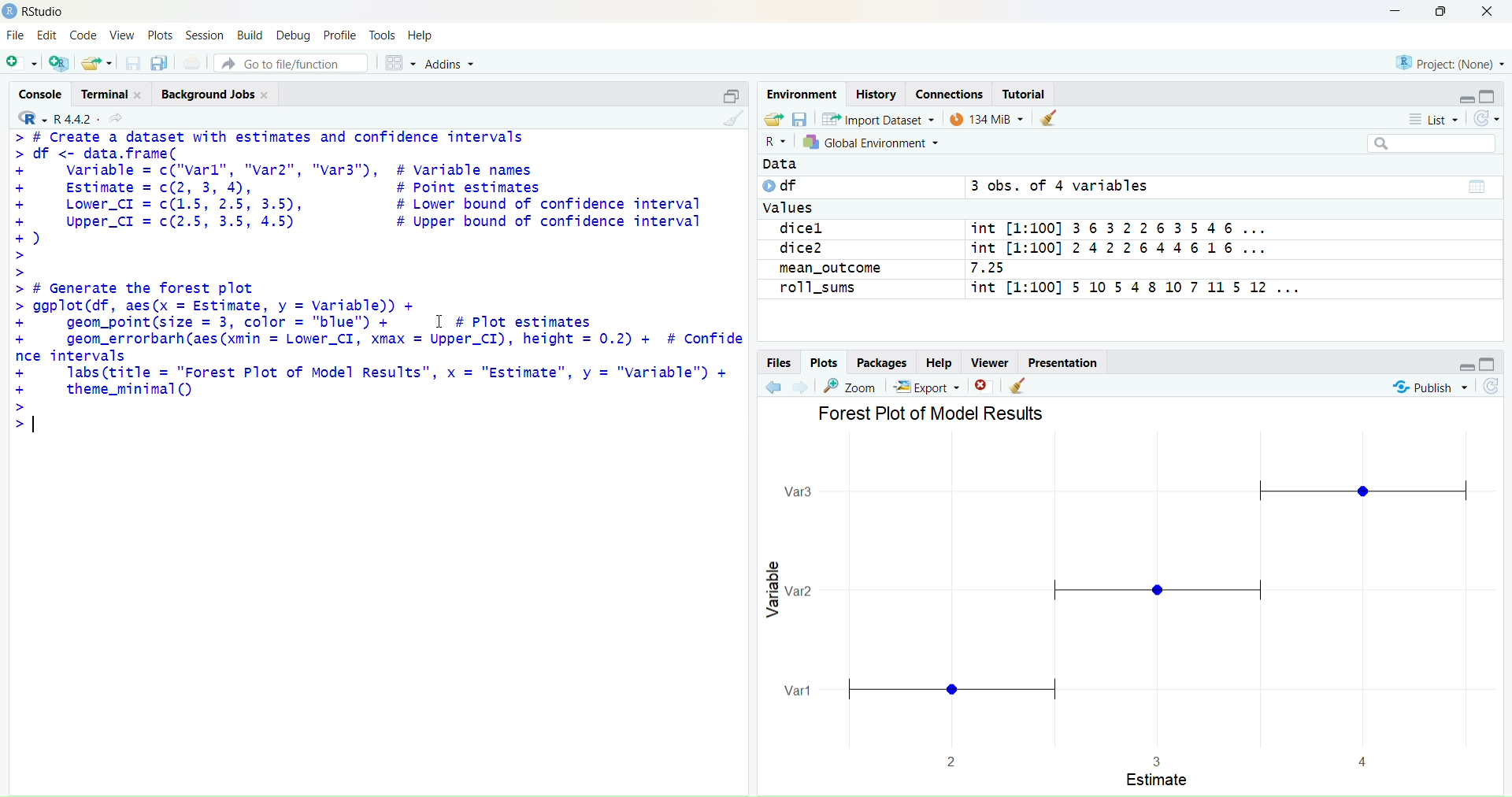 This screenshot has height=797, width=1512. I want to click on roll_sums int [1:100] 510548 107 115 12 ..., so click(1036, 289).